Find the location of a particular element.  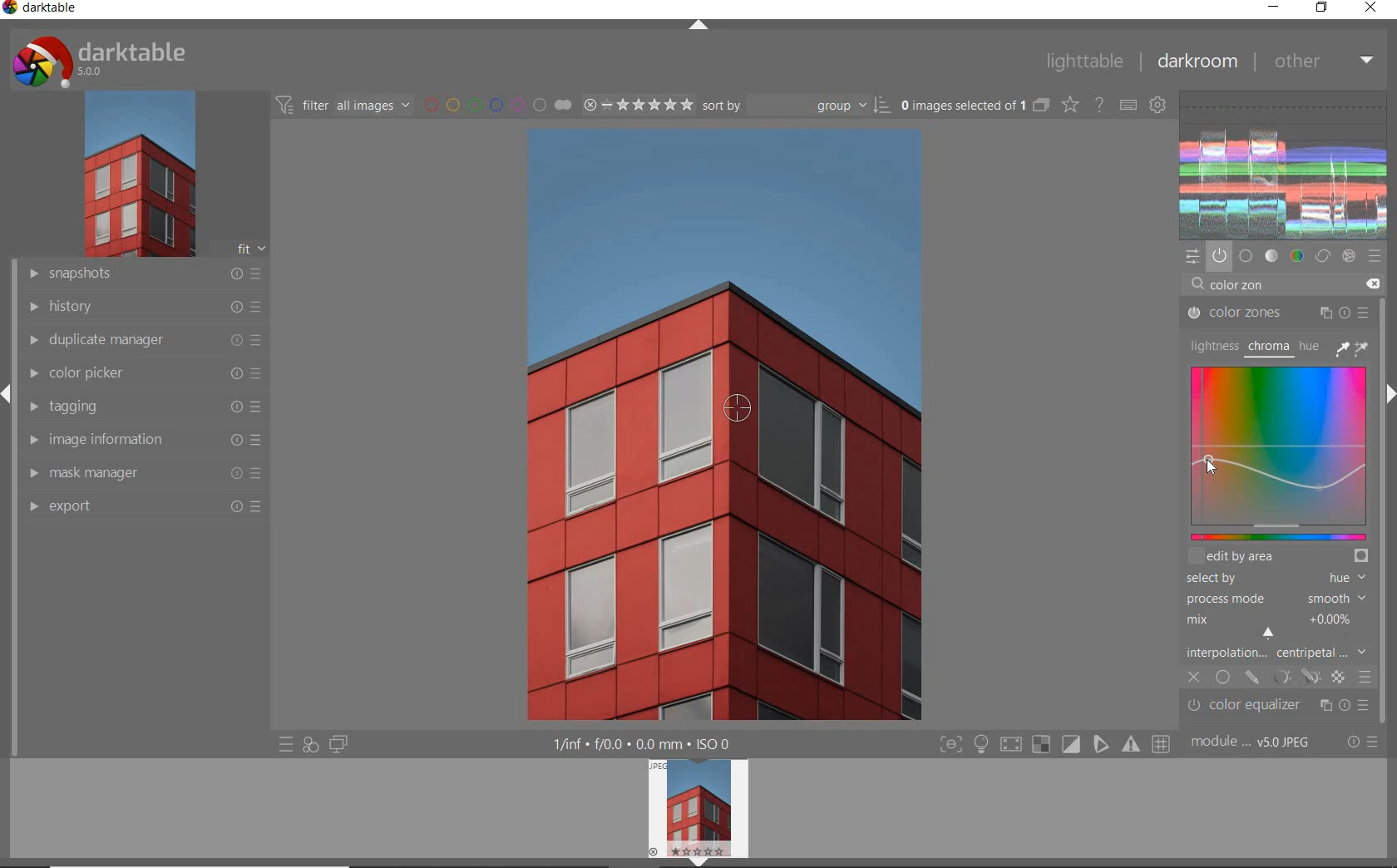

shadow is located at coordinates (1009, 745).